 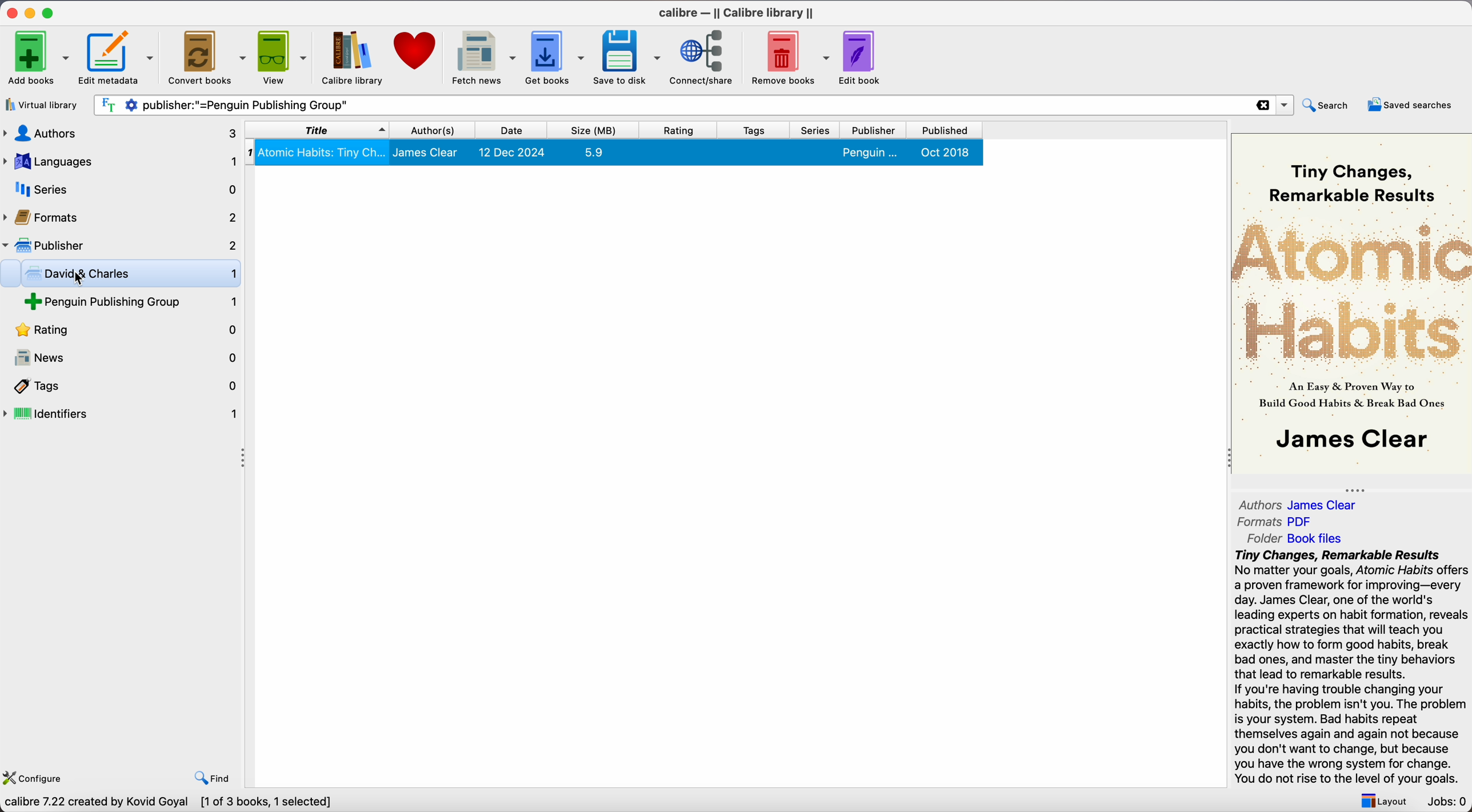 I want to click on David & Charles, so click(x=129, y=275).